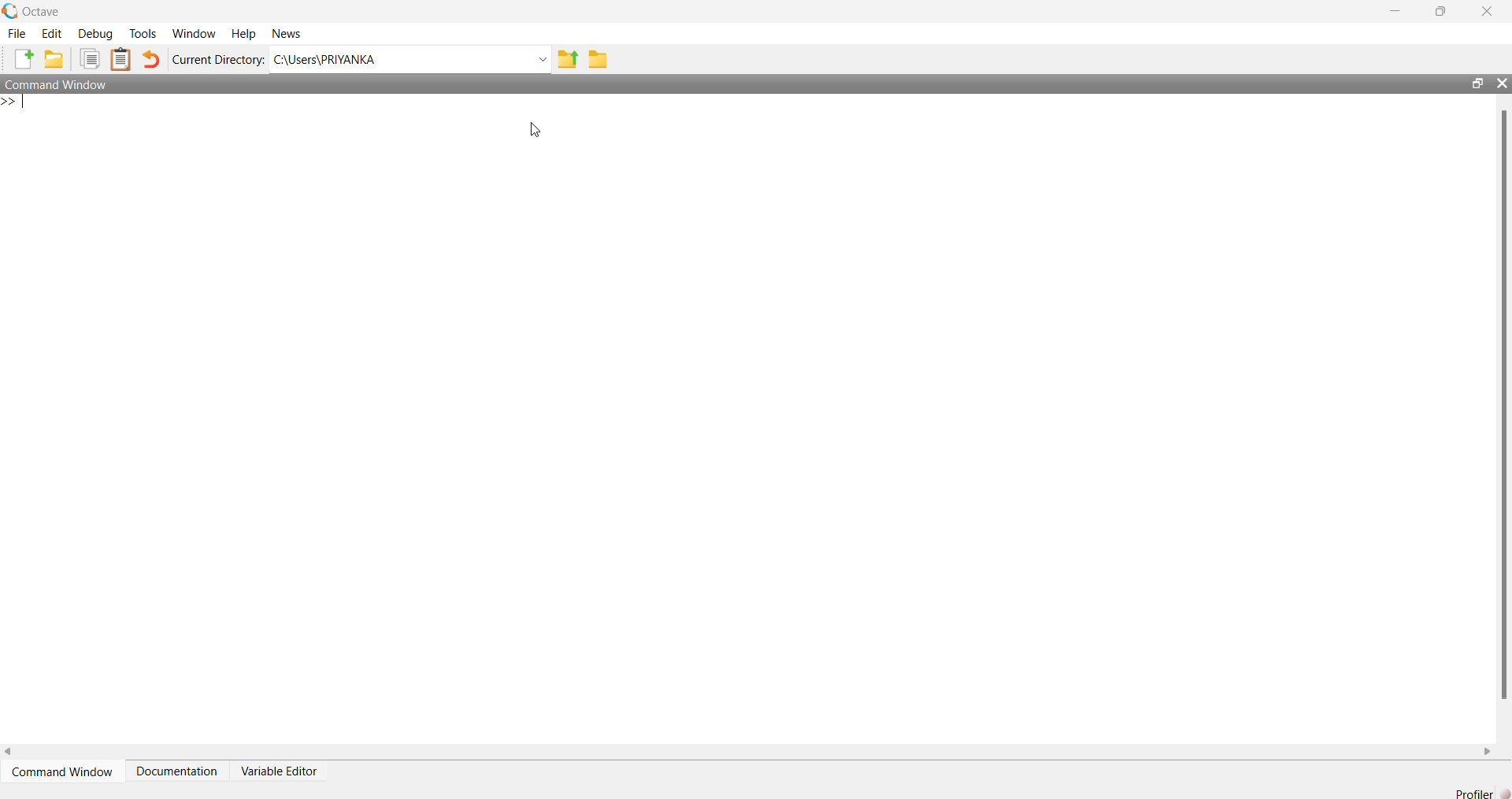 This screenshot has height=799, width=1512. I want to click on save, so click(602, 59).